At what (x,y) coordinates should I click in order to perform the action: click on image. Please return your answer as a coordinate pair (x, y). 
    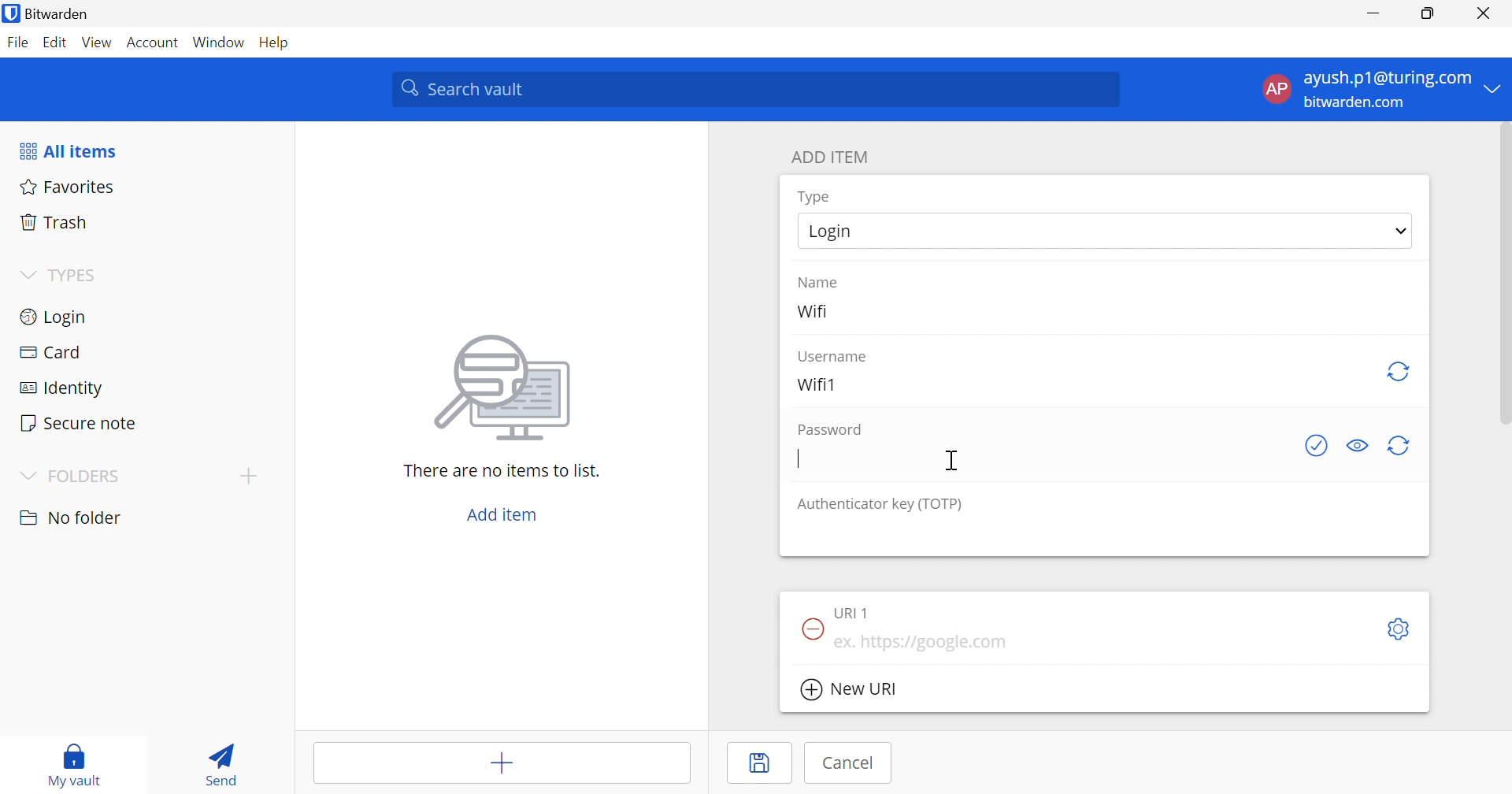
    Looking at the image, I should click on (507, 383).